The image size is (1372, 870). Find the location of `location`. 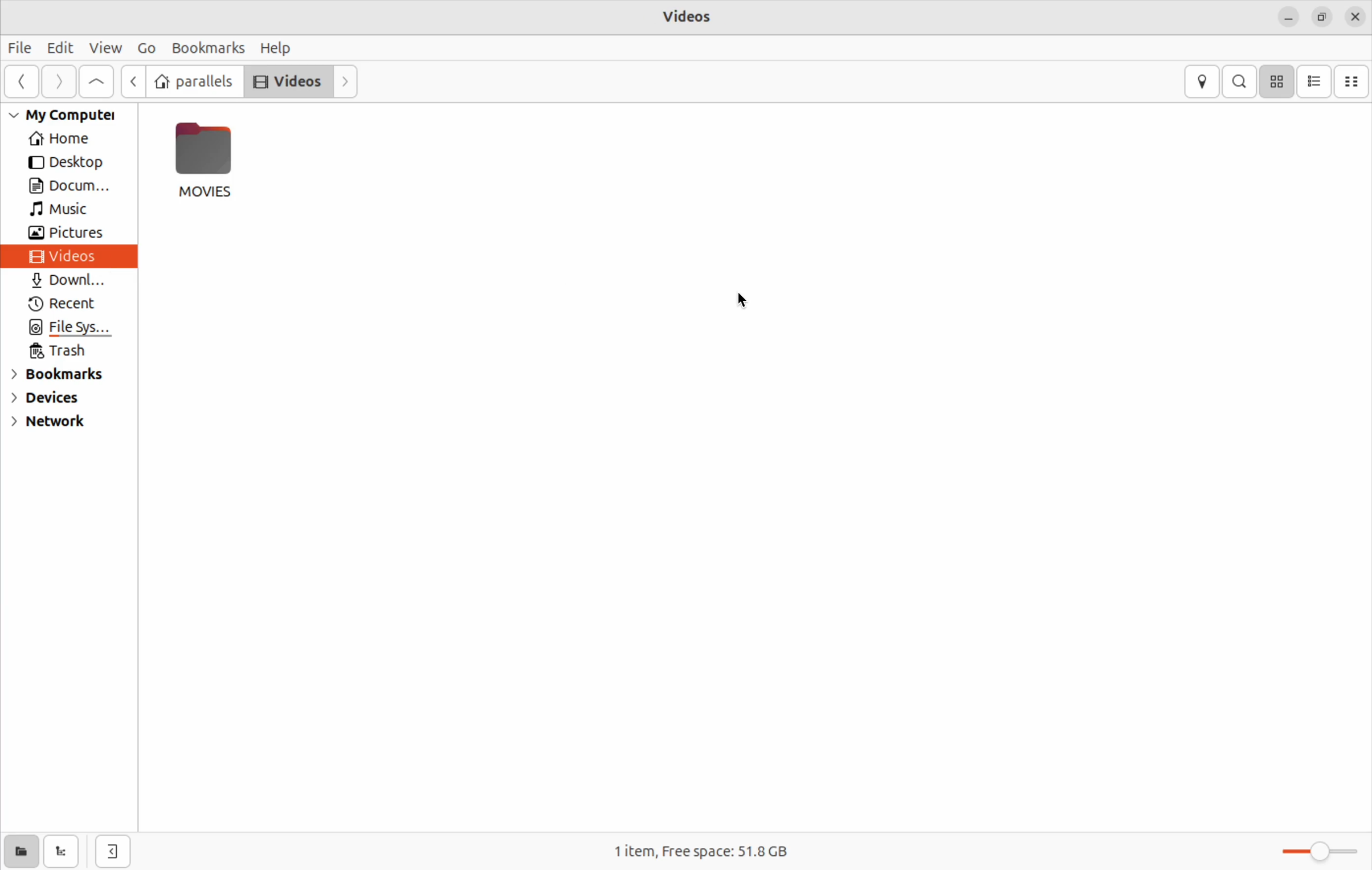

location is located at coordinates (1203, 81).